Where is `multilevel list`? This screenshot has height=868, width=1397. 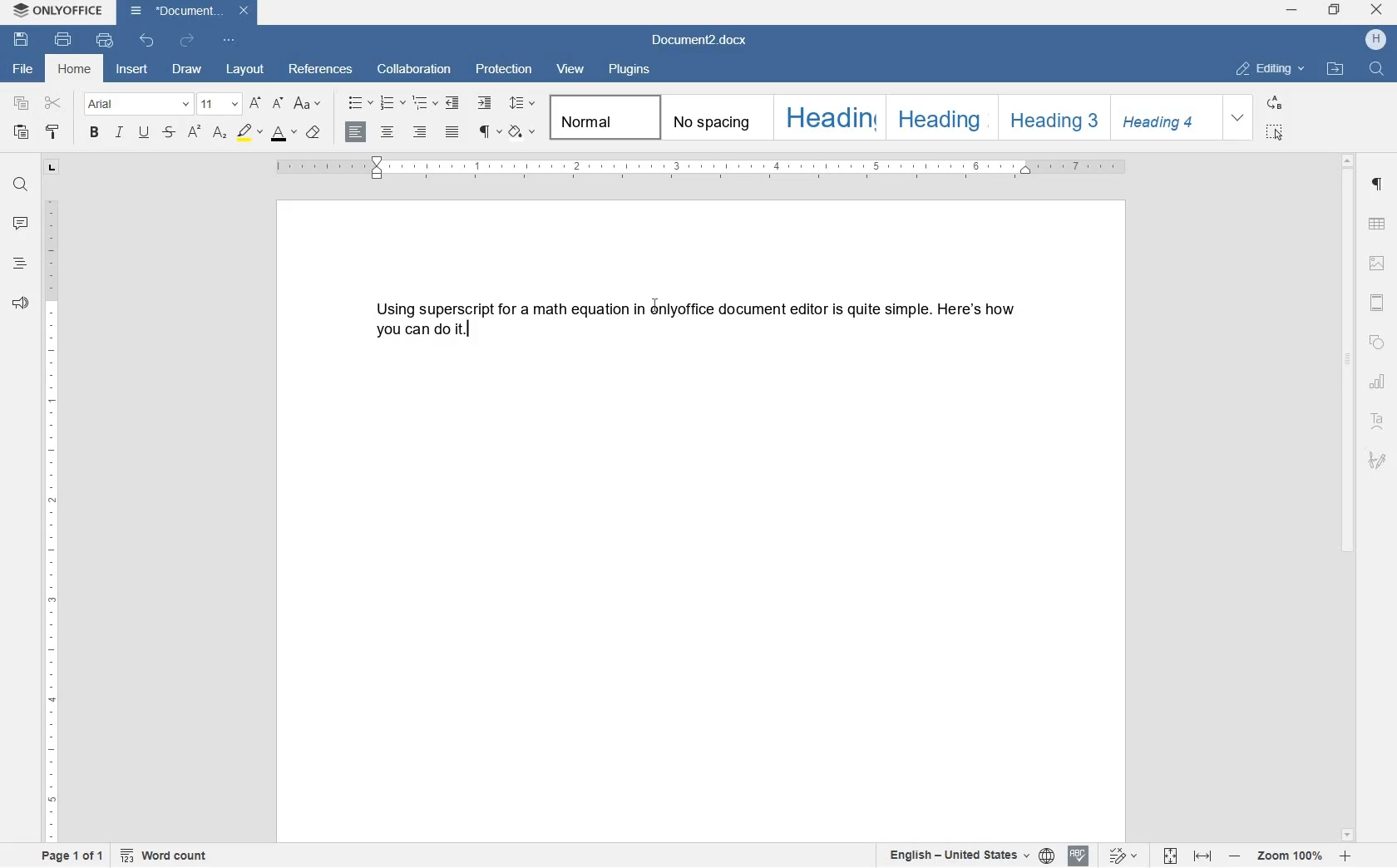
multilevel list is located at coordinates (422, 104).